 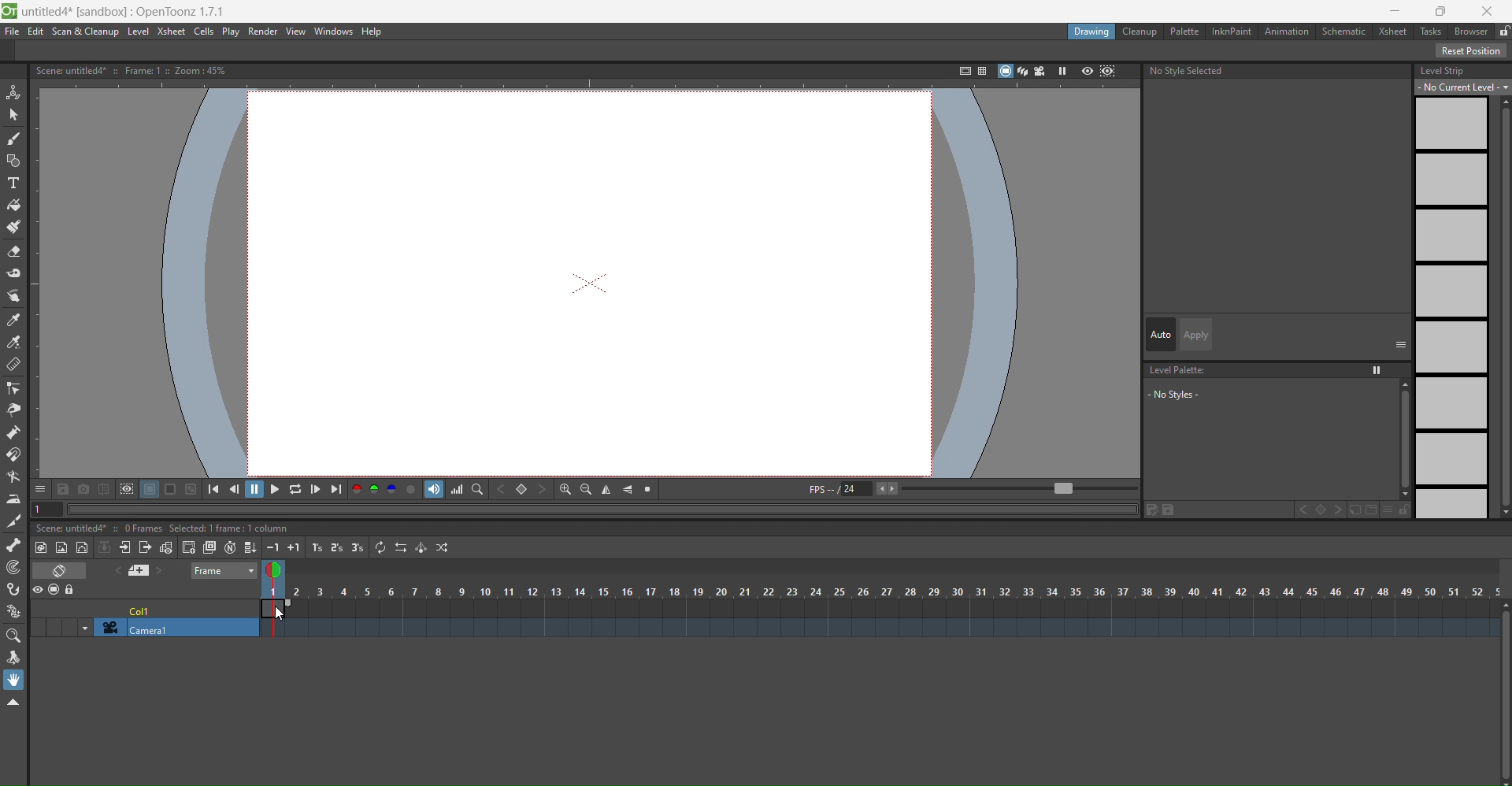 I want to click on play, so click(x=274, y=488).